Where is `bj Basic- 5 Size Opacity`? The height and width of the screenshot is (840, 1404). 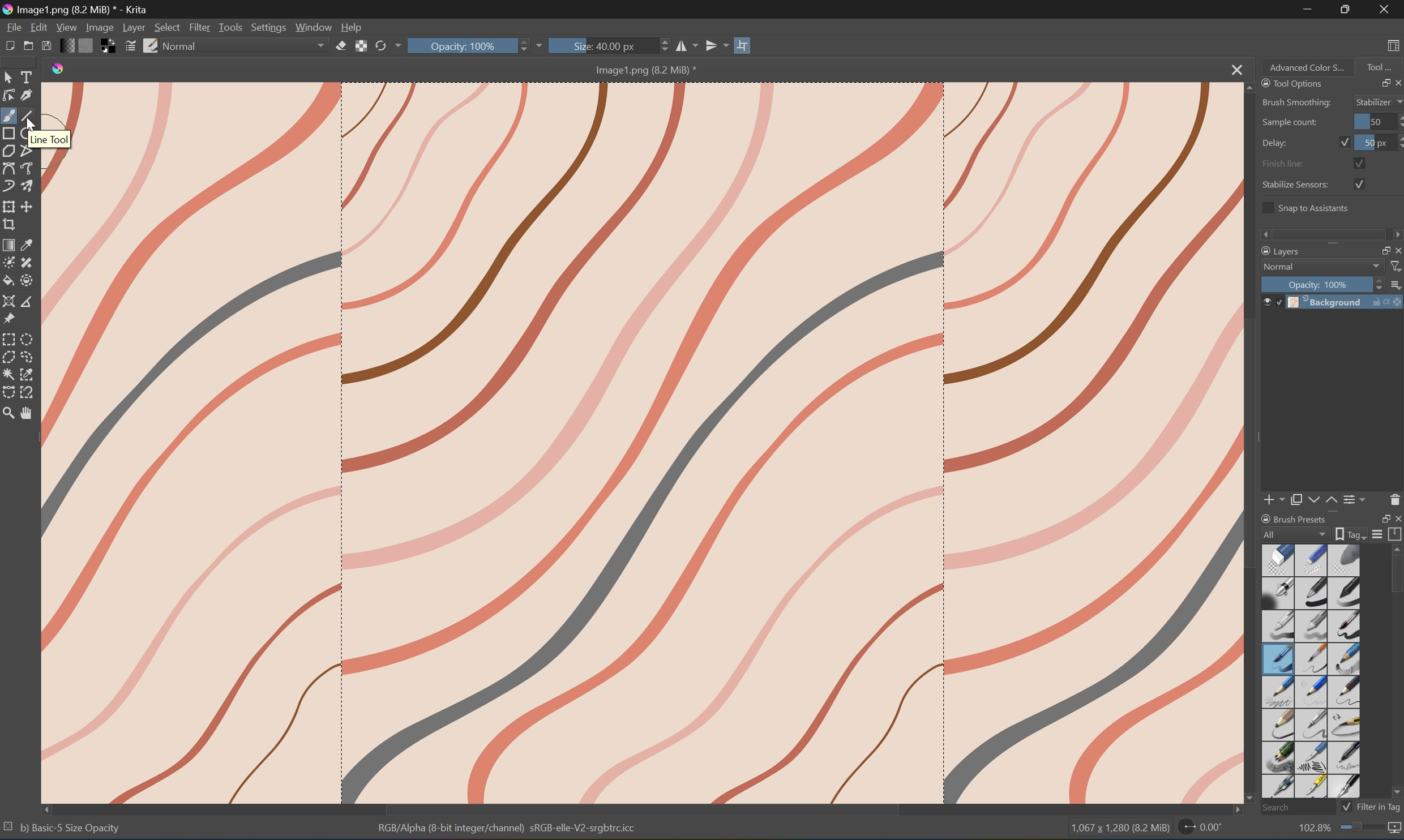
bj Basic- 5 Size Opacity is located at coordinates (70, 828).